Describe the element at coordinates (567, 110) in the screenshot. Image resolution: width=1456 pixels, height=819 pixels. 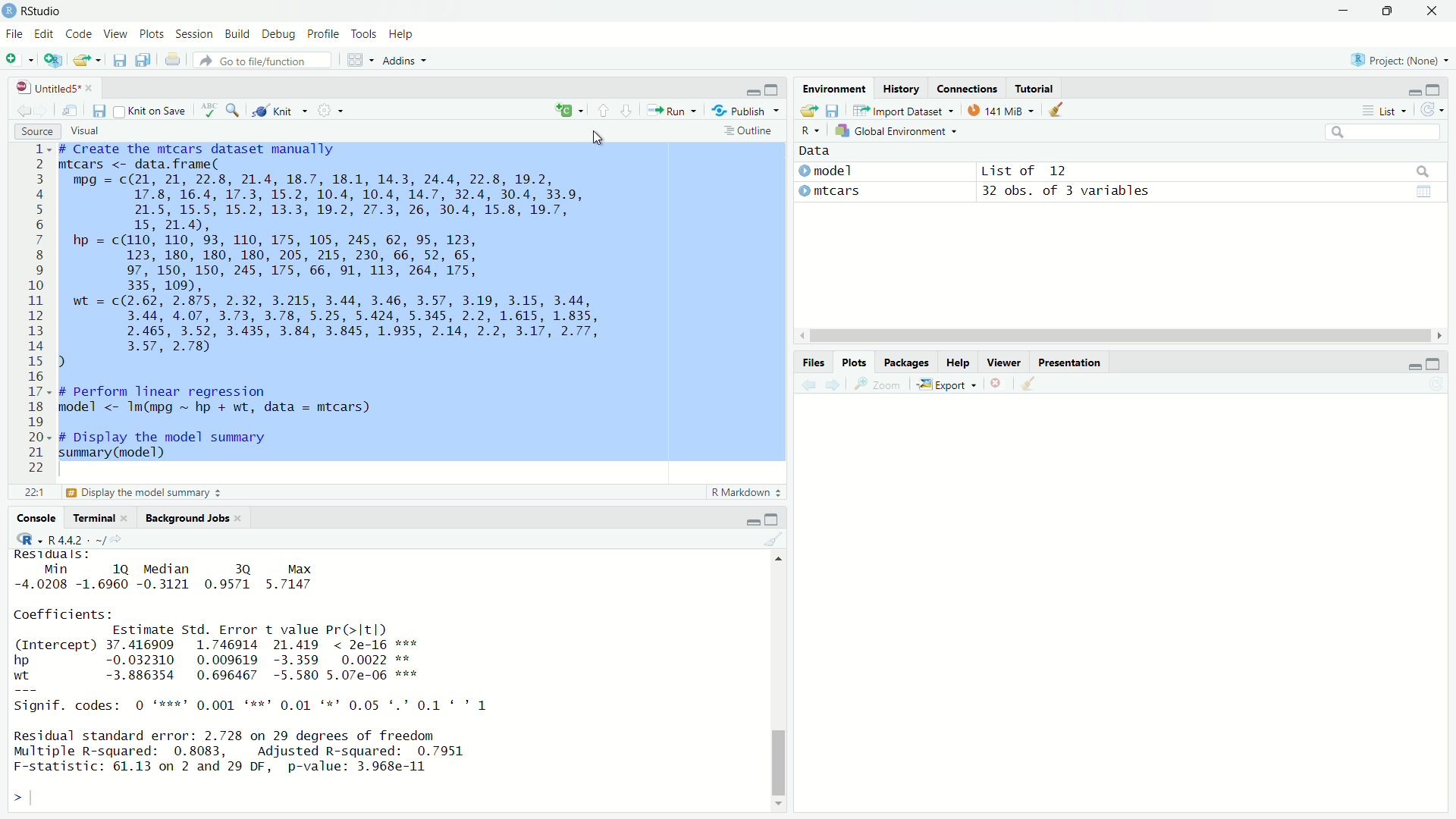
I see `insert new code chunk` at that location.